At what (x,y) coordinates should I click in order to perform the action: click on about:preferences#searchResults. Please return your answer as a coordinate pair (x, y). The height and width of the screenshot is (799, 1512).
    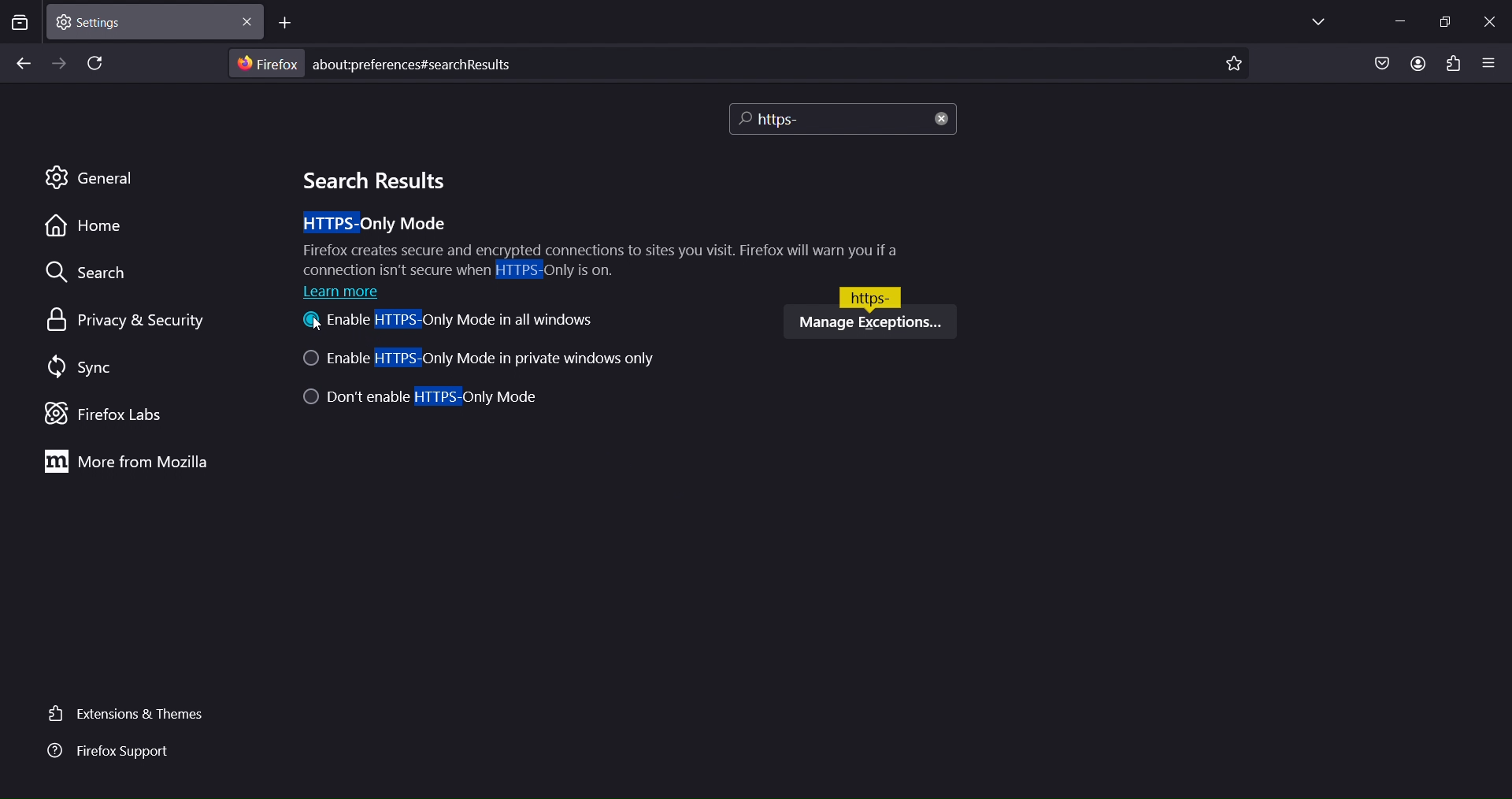
    Looking at the image, I should click on (432, 63).